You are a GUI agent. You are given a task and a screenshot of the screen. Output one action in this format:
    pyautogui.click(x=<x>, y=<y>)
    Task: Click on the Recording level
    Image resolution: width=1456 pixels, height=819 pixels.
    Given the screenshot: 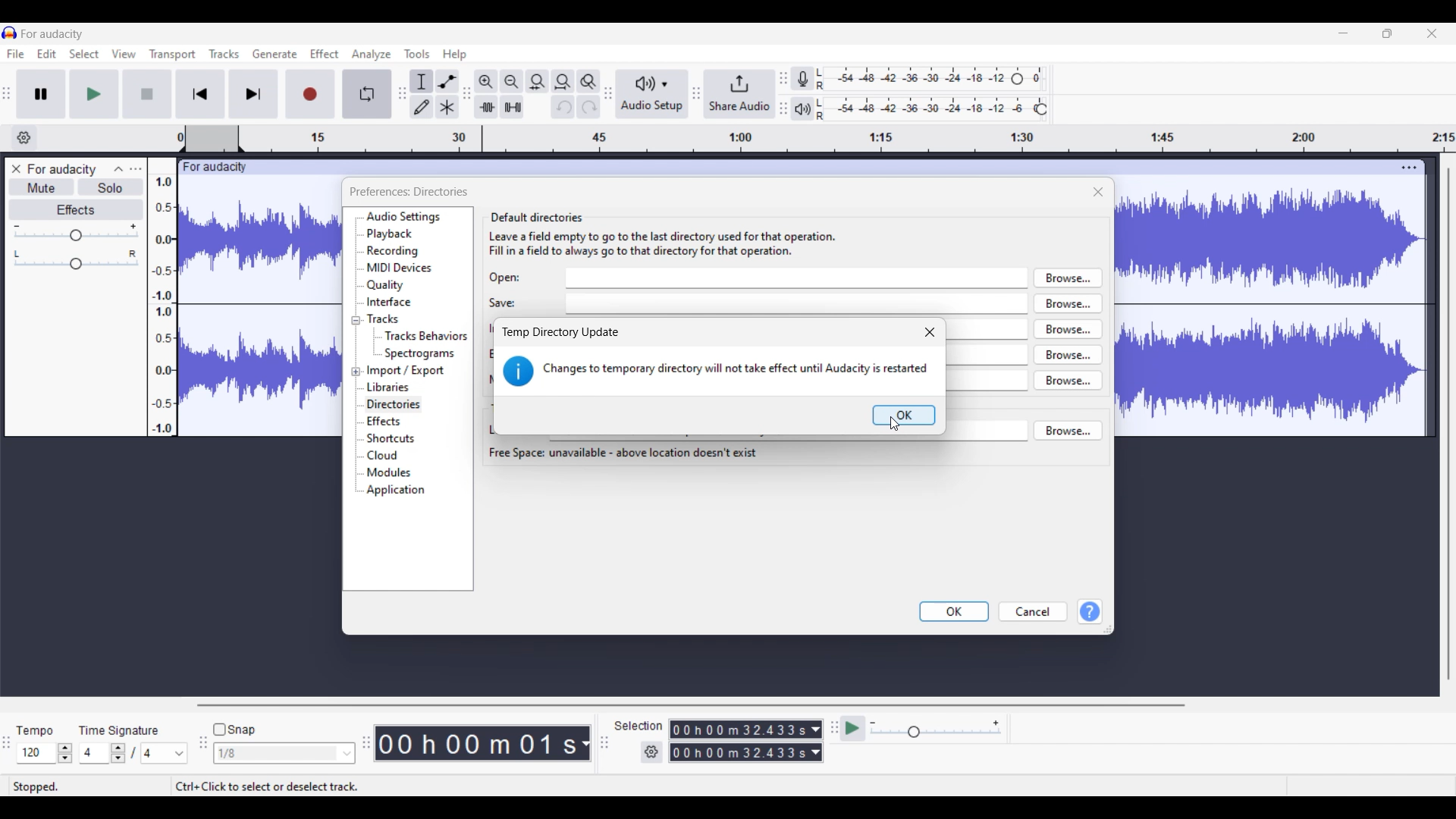 What is the action you would take?
    pyautogui.click(x=912, y=79)
    